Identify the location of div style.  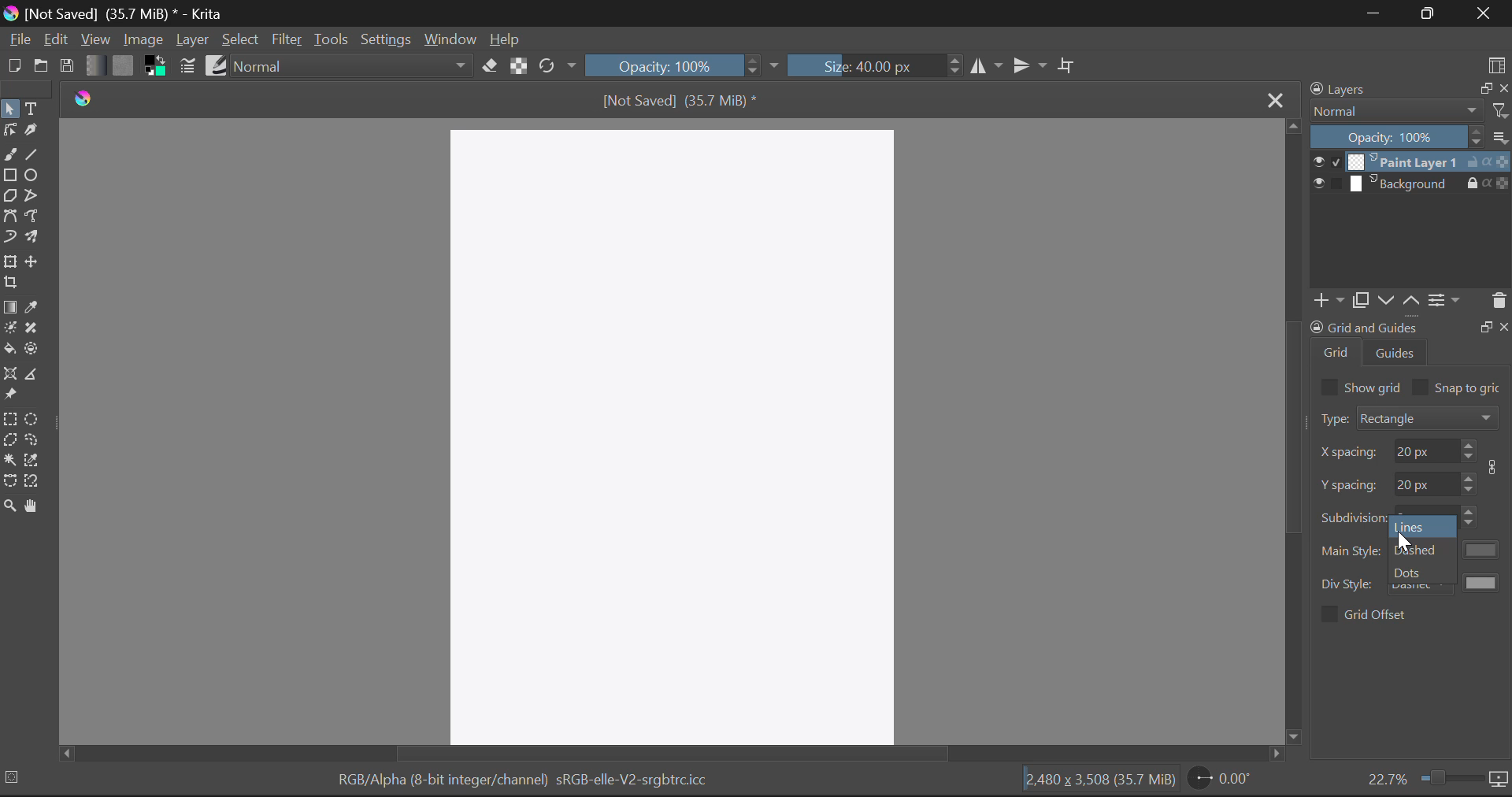
(1349, 584).